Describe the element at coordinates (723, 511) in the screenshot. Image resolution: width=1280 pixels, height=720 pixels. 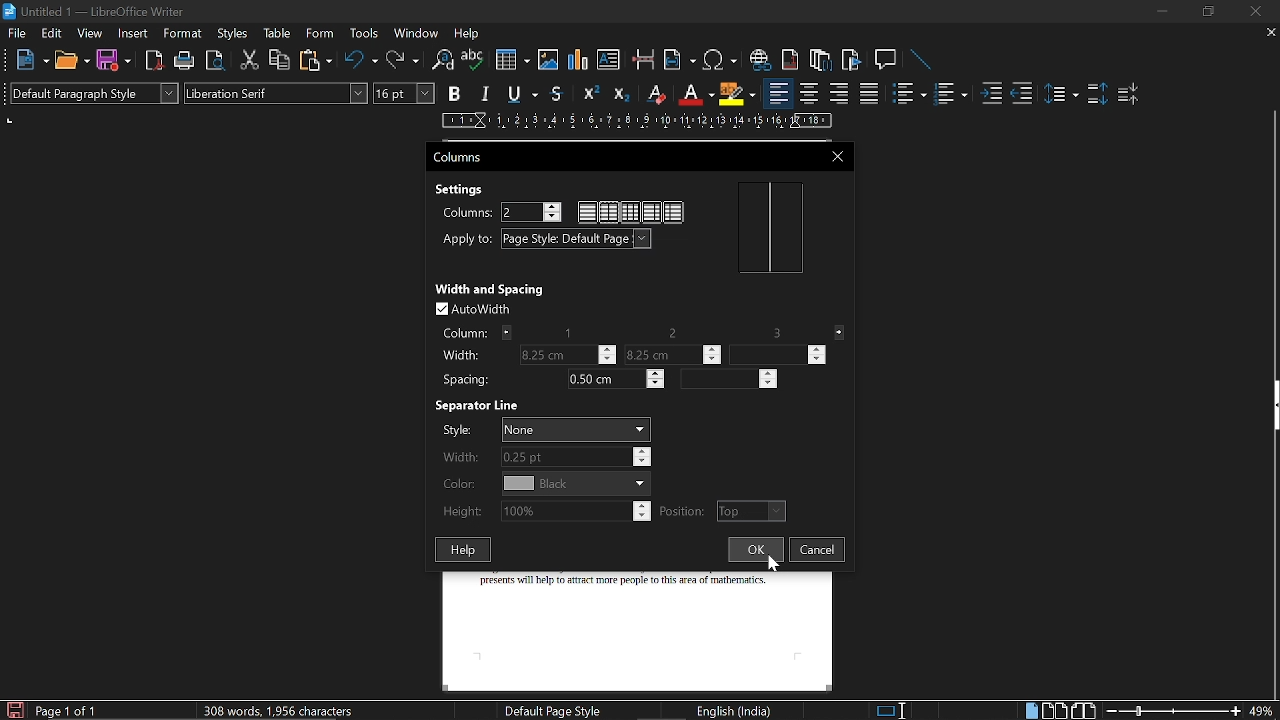
I see `Position` at that location.